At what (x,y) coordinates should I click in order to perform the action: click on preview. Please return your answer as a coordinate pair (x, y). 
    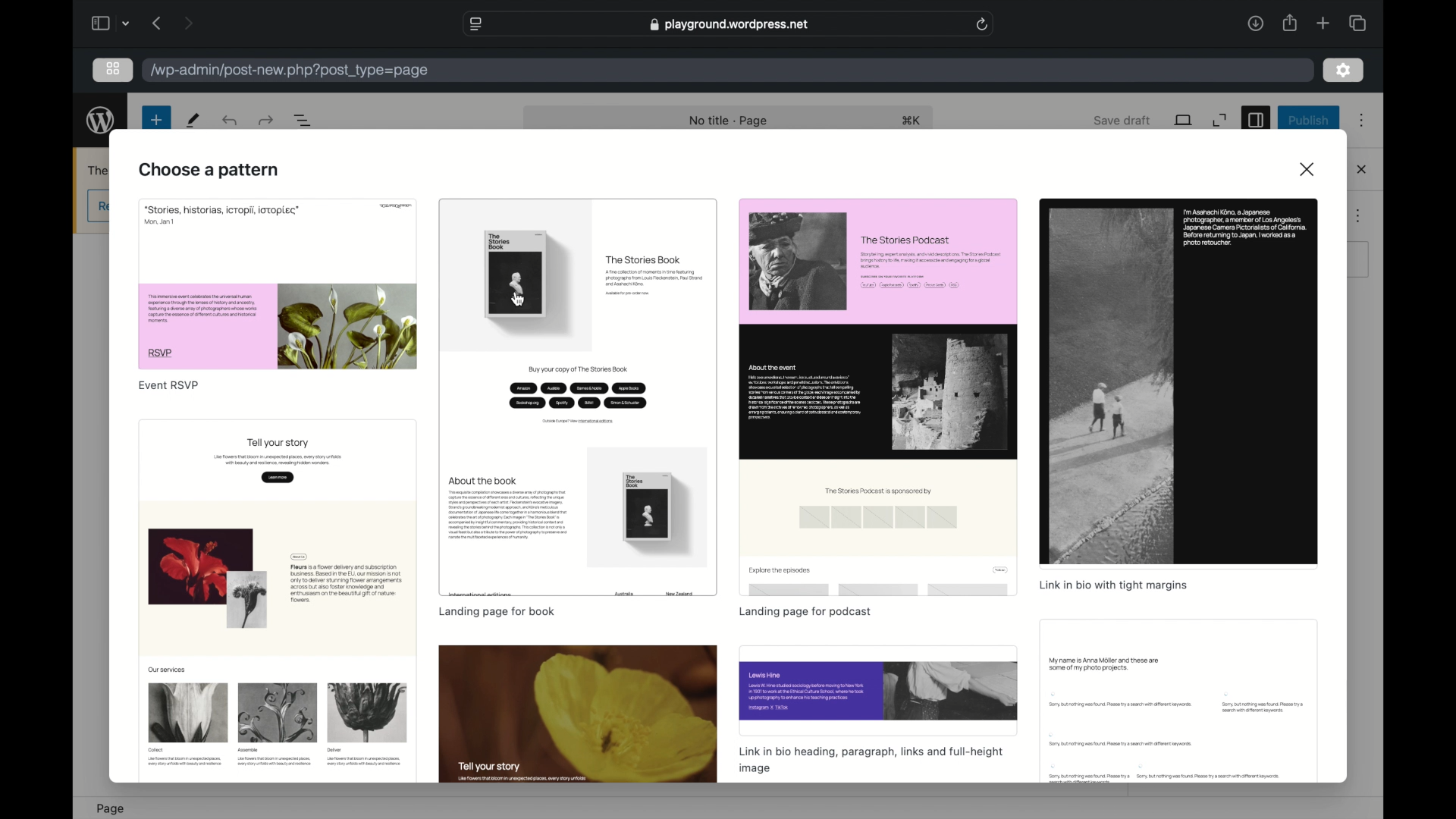
    Looking at the image, I should click on (880, 397).